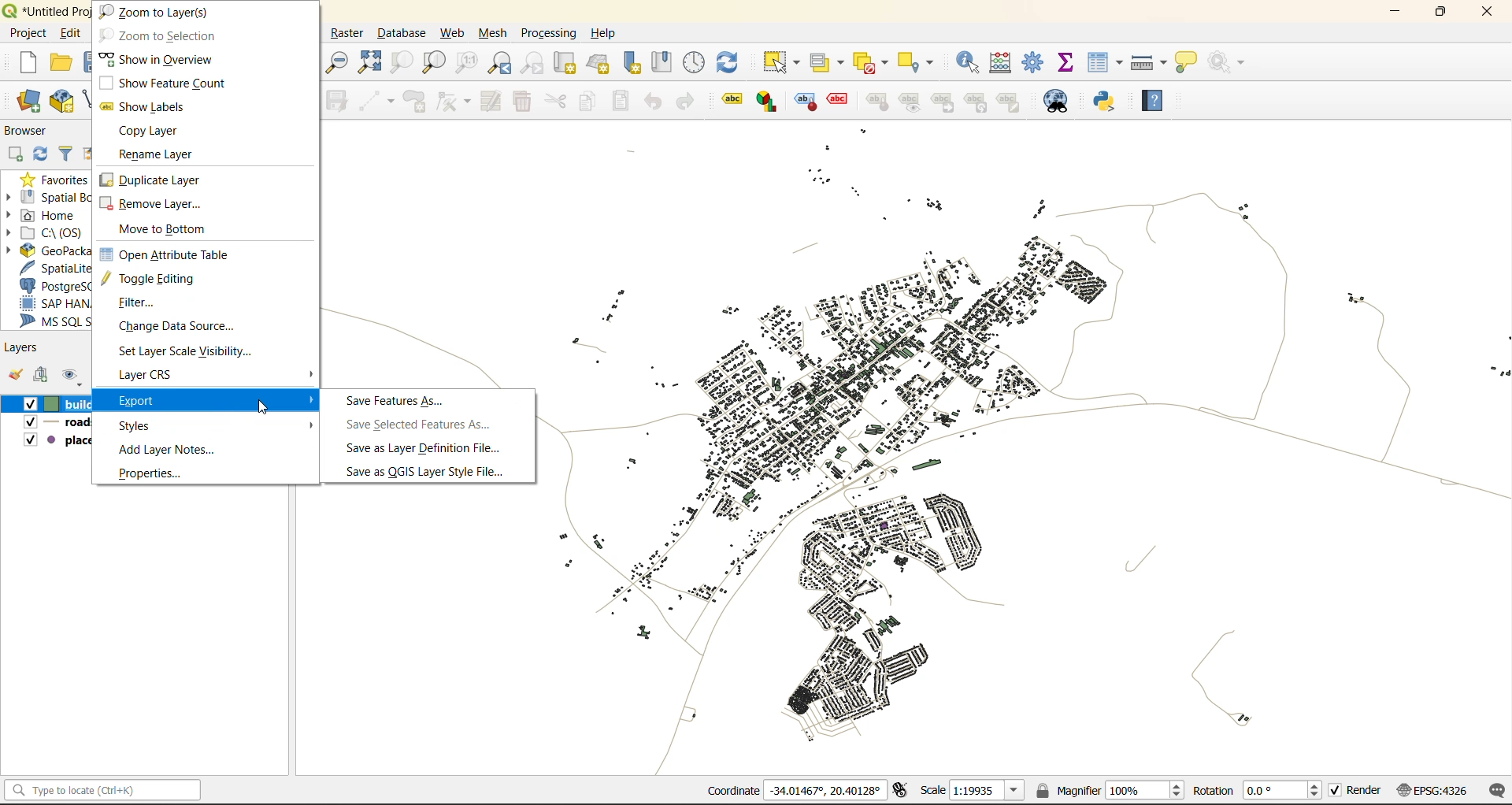  Describe the element at coordinates (537, 62) in the screenshot. I see `zoom next` at that location.